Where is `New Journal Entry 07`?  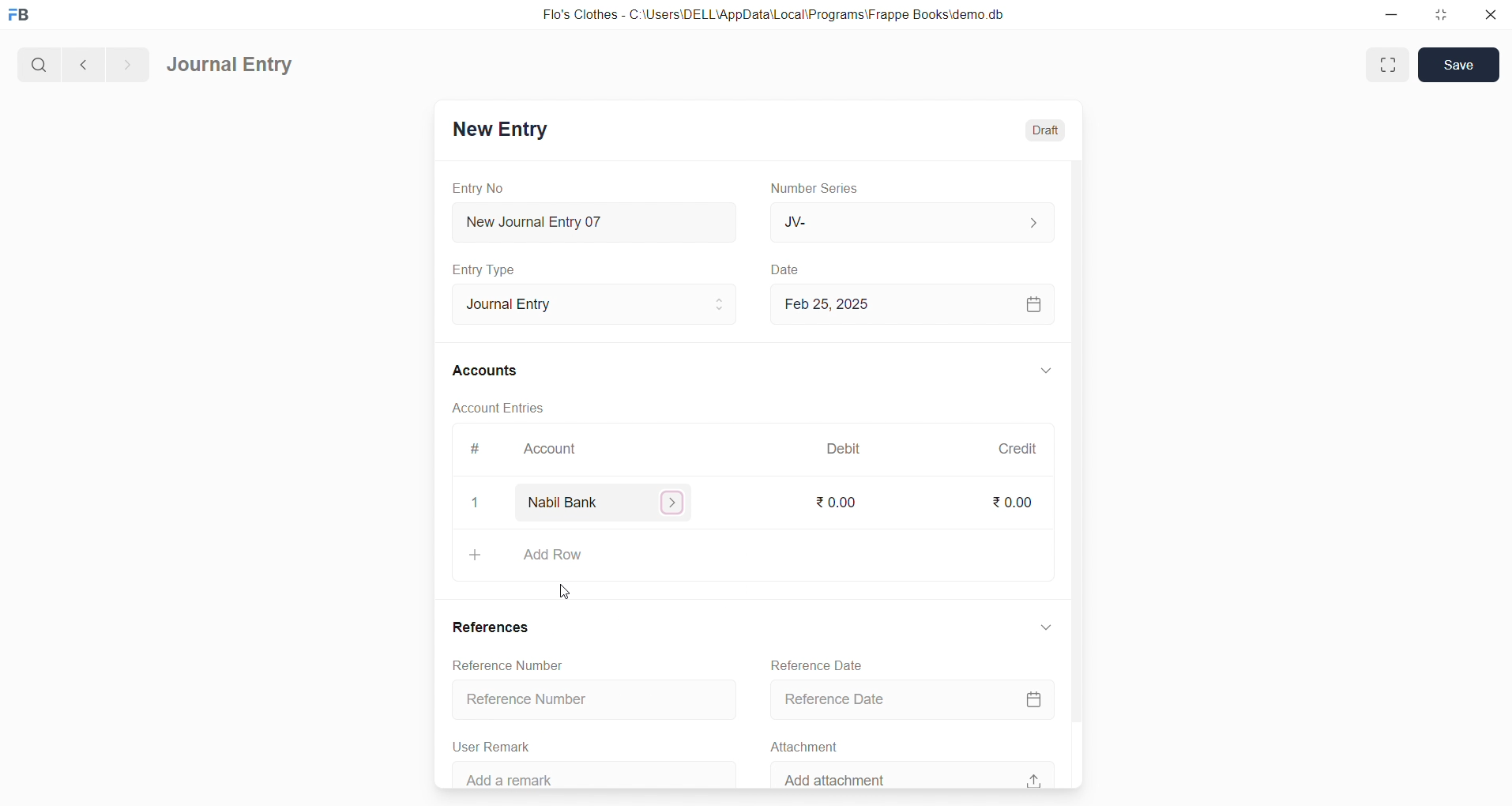 New Journal Entry 07 is located at coordinates (596, 218).